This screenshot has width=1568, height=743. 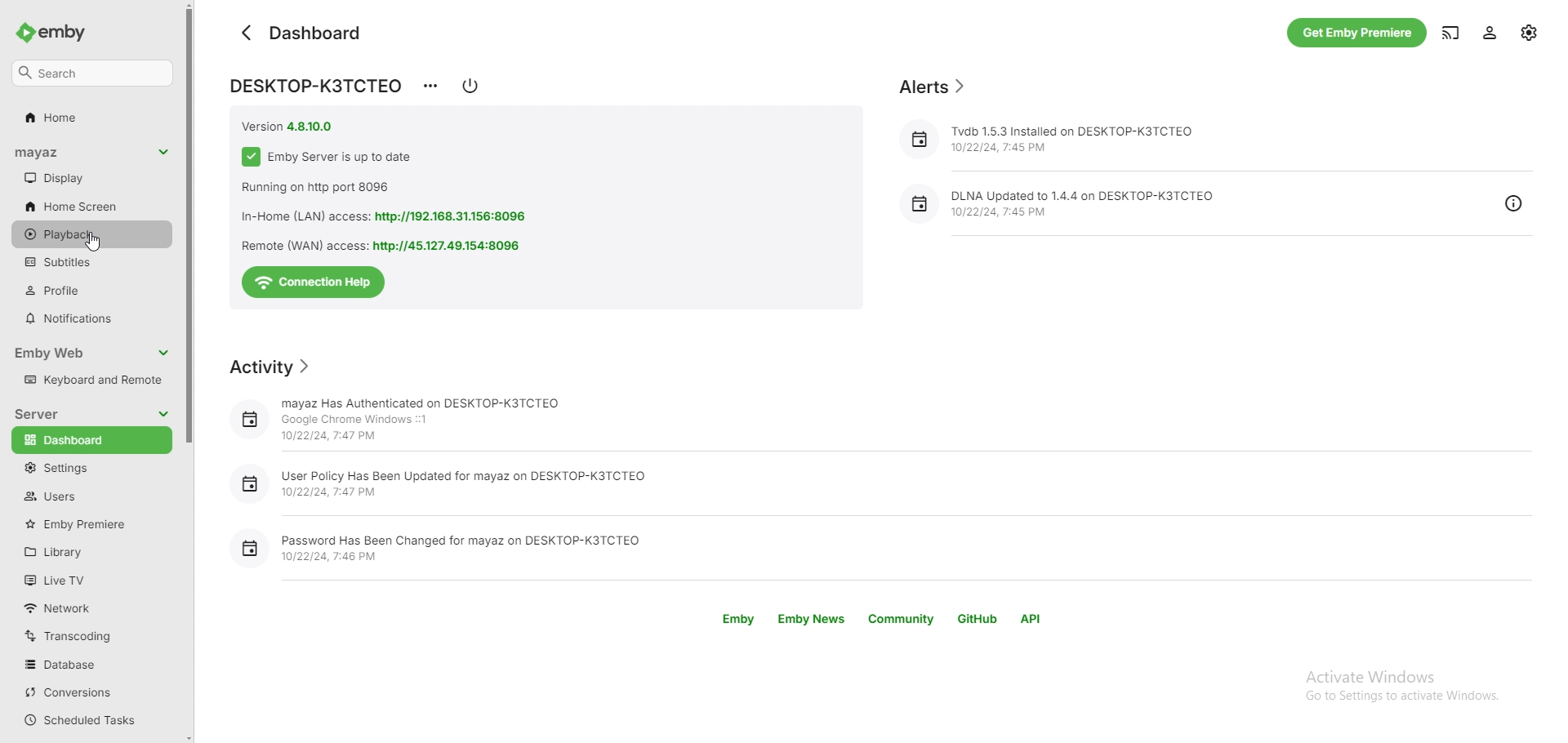 What do you see at coordinates (292, 127) in the screenshot?
I see `version 4.8.10.0` at bounding box center [292, 127].